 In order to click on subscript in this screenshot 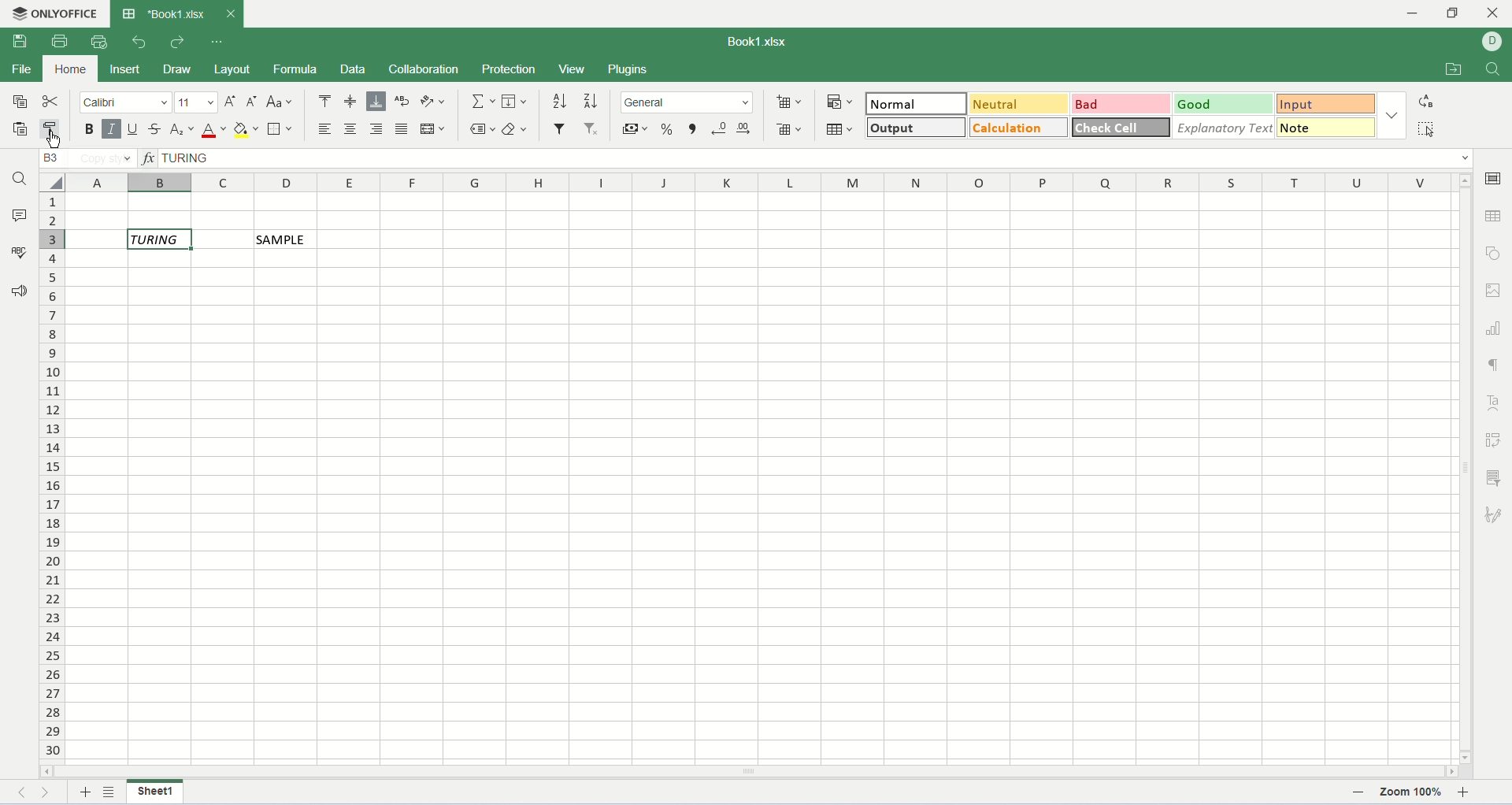, I will do `click(183, 130)`.